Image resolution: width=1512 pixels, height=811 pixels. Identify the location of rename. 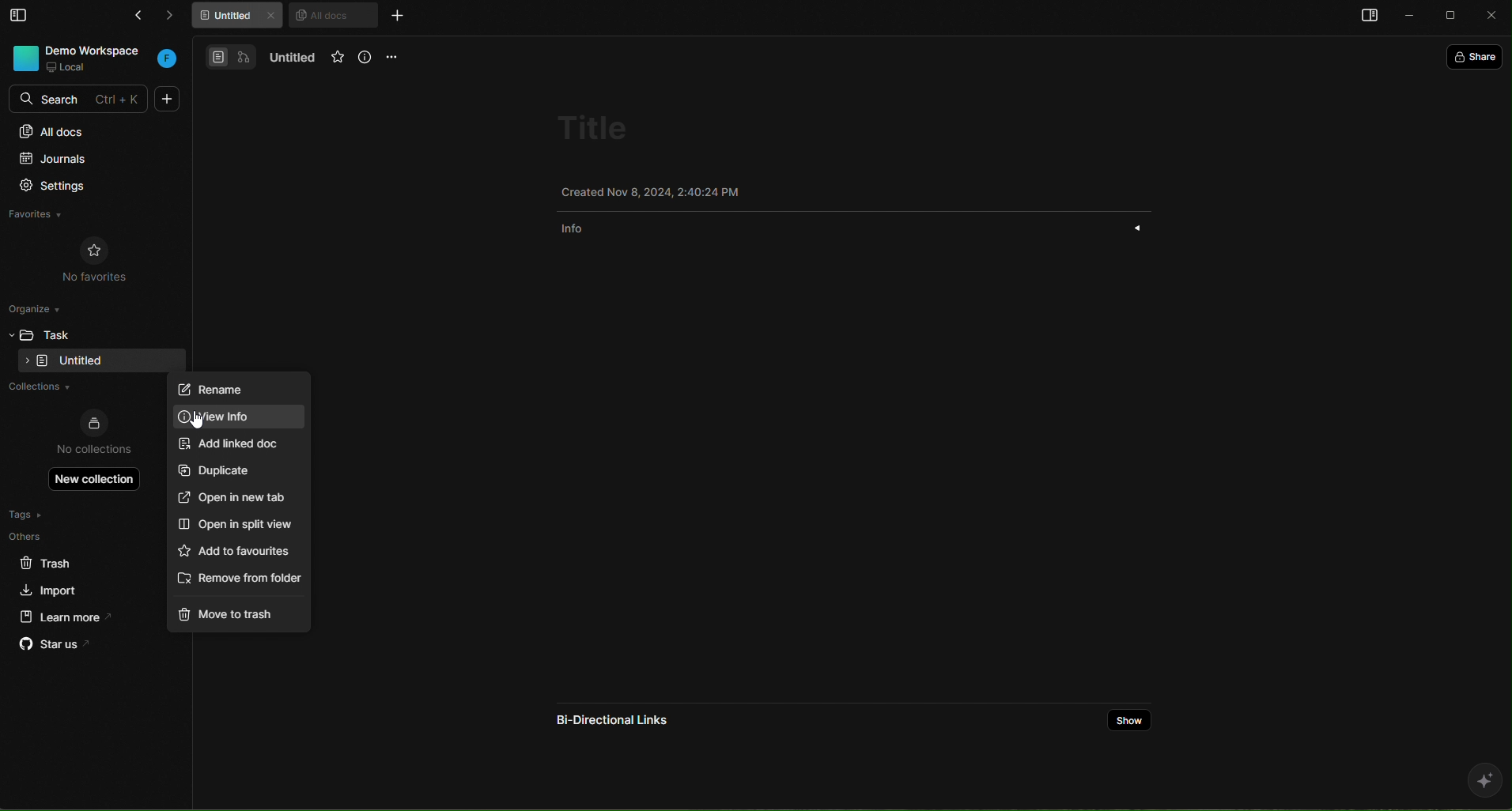
(230, 389).